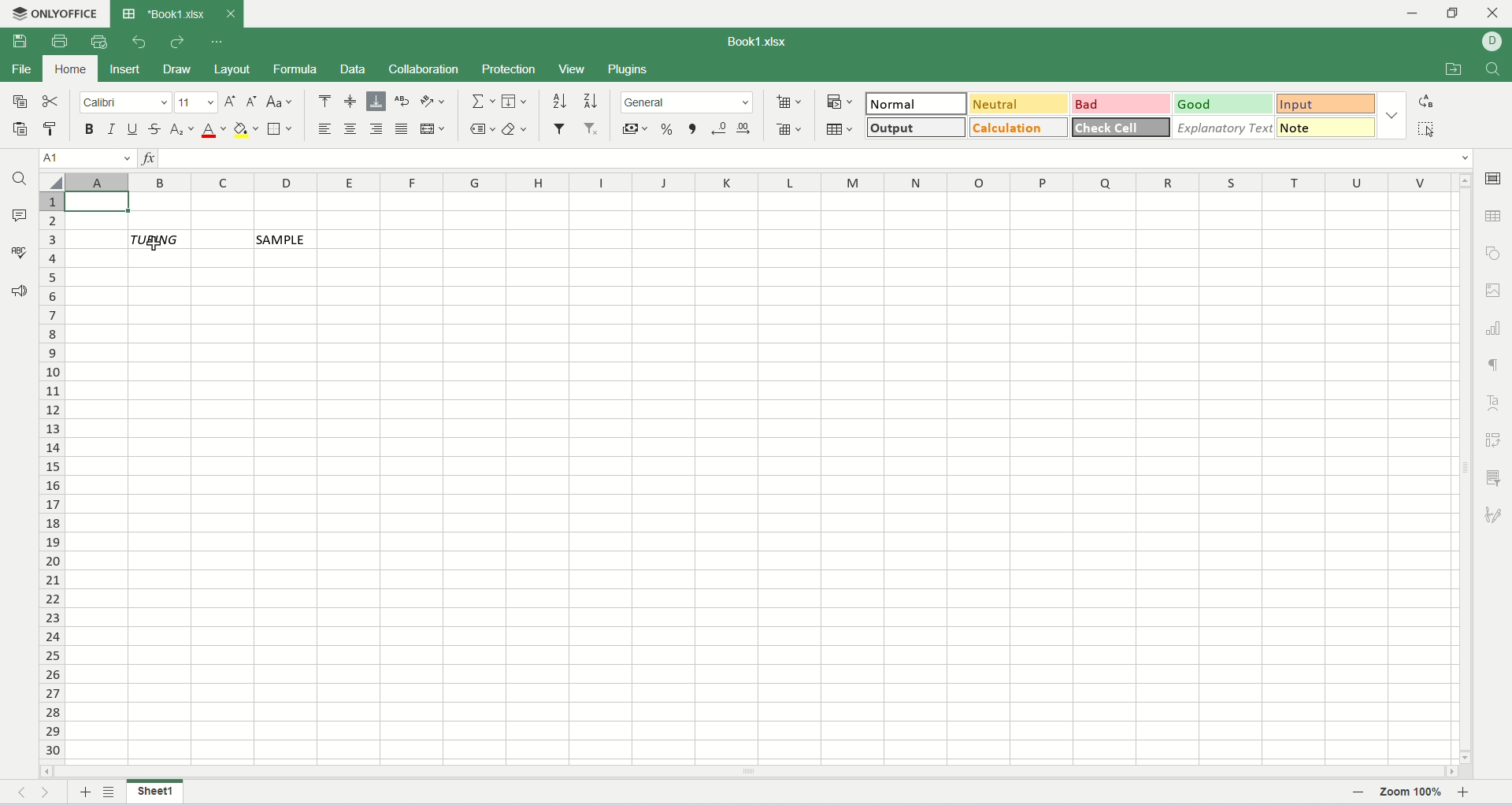 The width and height of the screenshot is (1512, 805). I want to click on underline, so click(133, 131).